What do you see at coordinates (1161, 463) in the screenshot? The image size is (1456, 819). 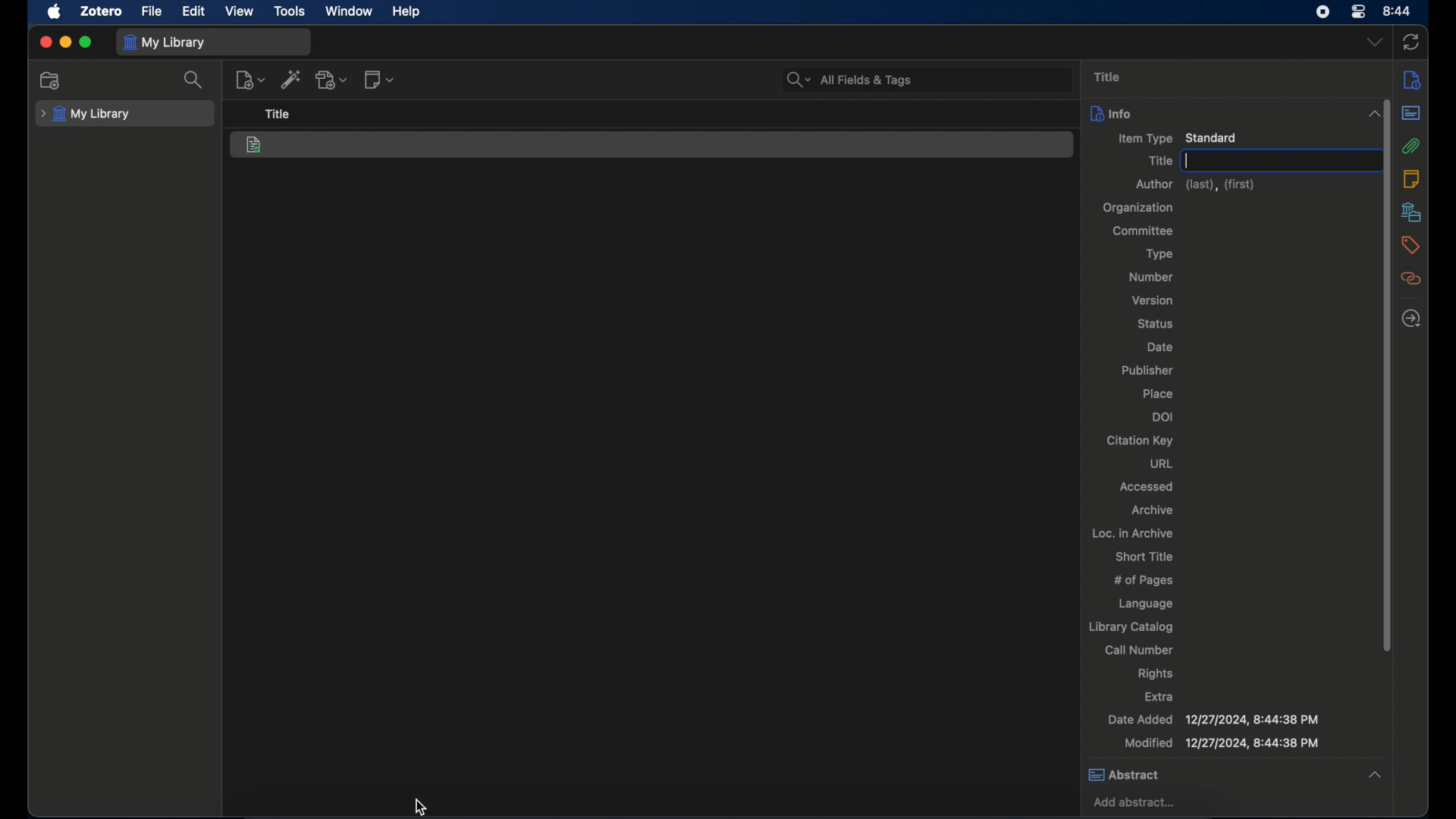 I see `url` at bounding box center [1161, 463].